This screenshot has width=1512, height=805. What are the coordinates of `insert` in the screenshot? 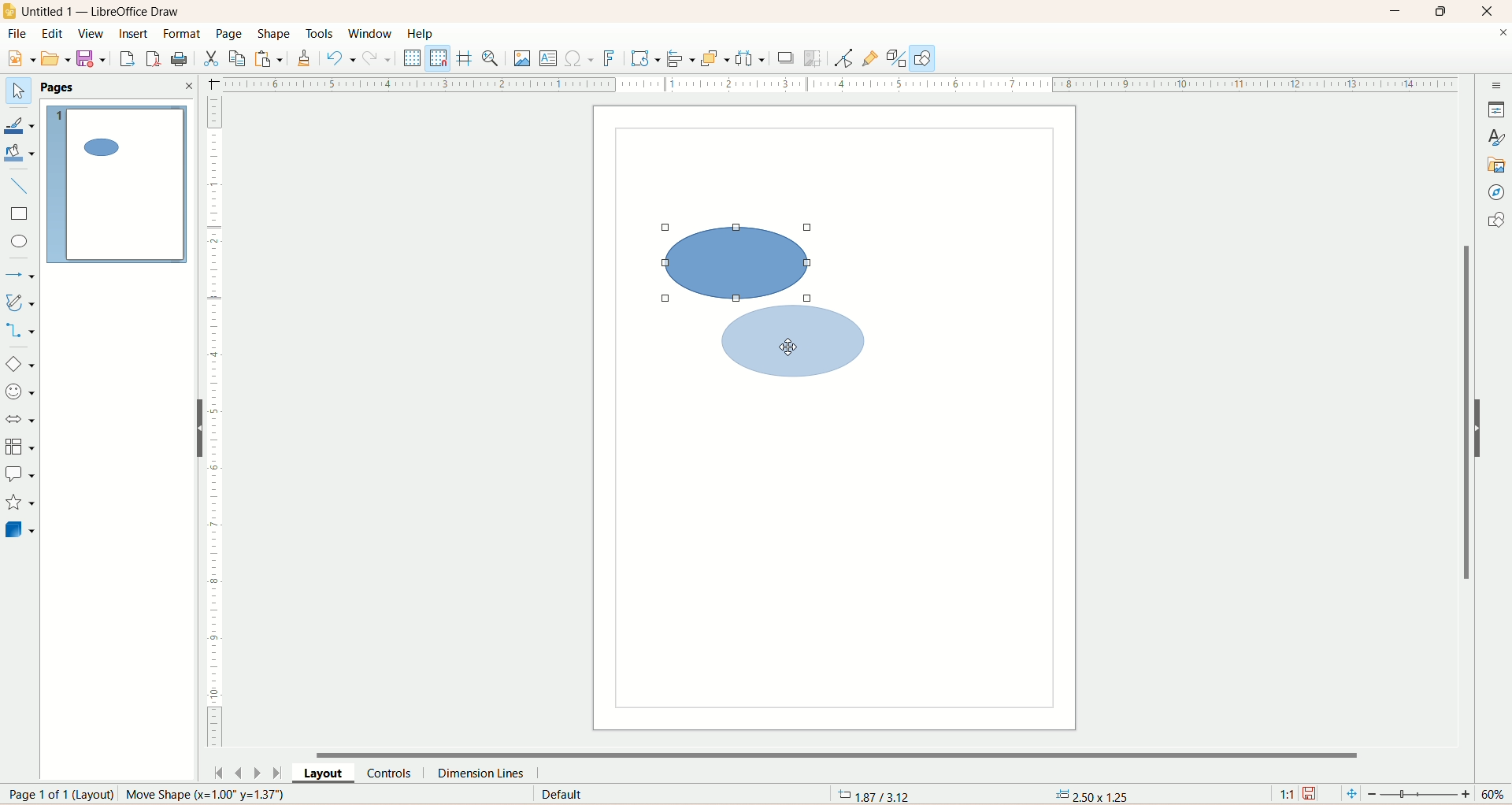 It's located at (131, 34).